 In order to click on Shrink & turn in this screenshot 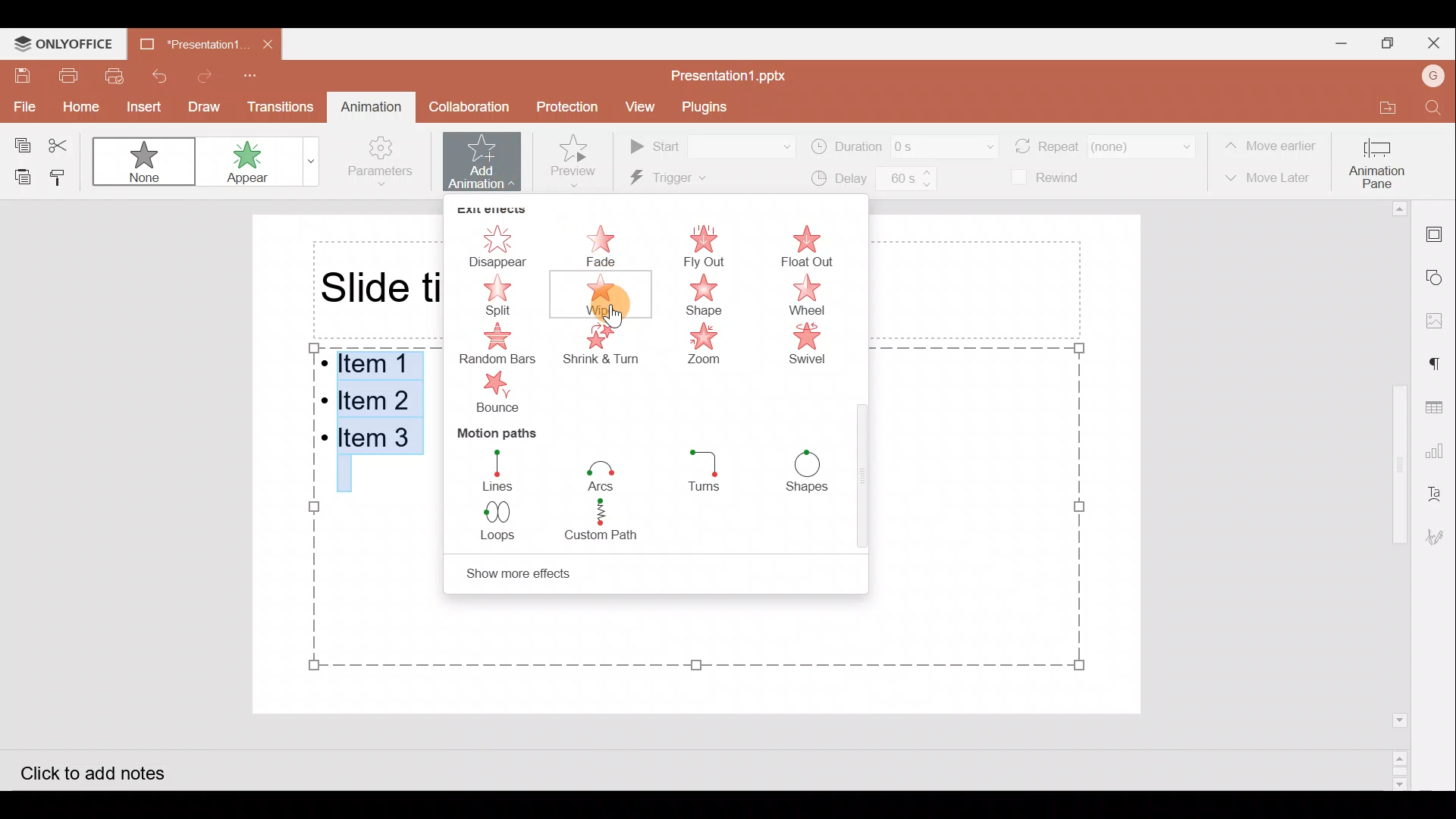, I will do `click(606, 350)`.